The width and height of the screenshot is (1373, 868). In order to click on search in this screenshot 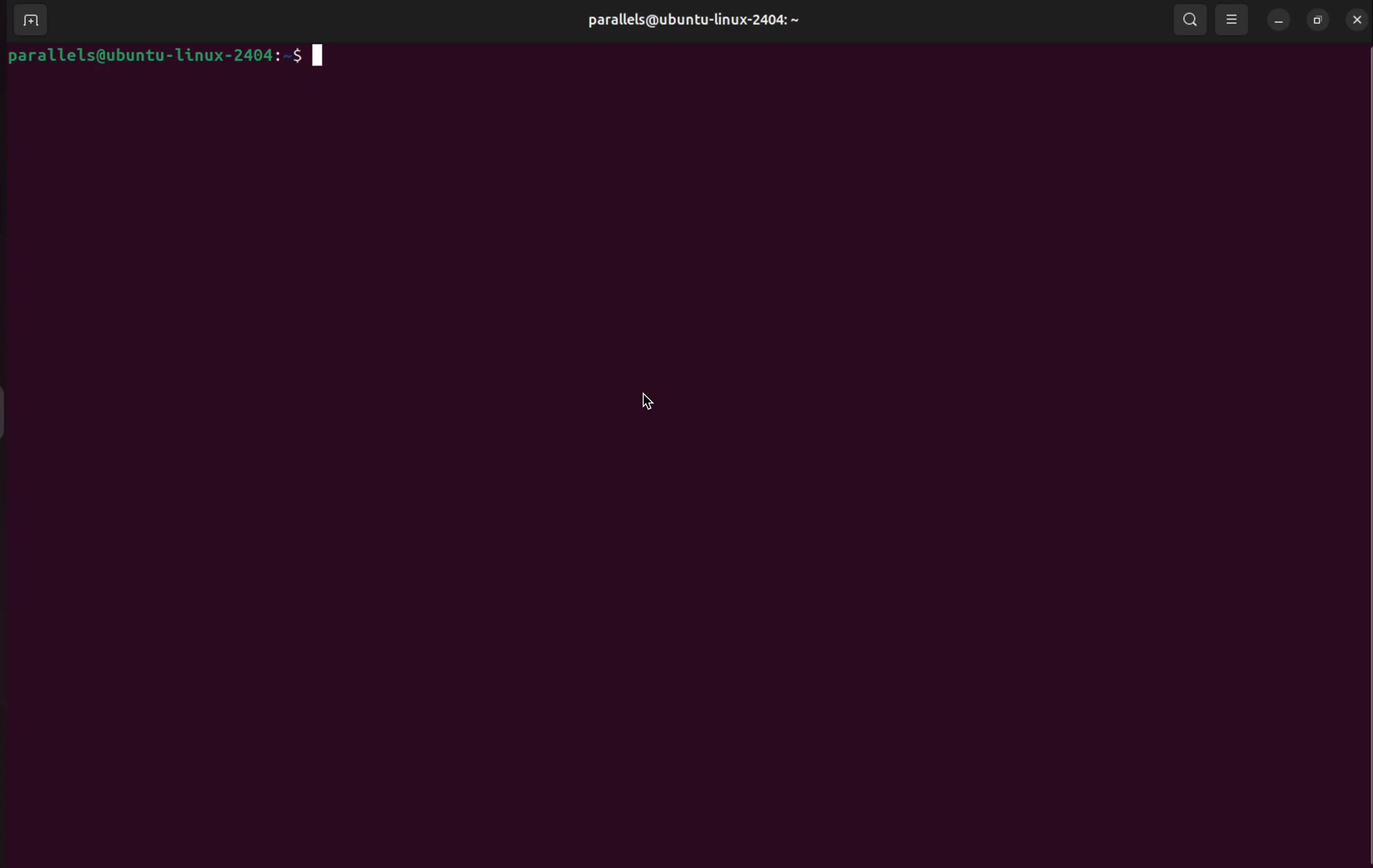, I will do `click(1189, 19)`.